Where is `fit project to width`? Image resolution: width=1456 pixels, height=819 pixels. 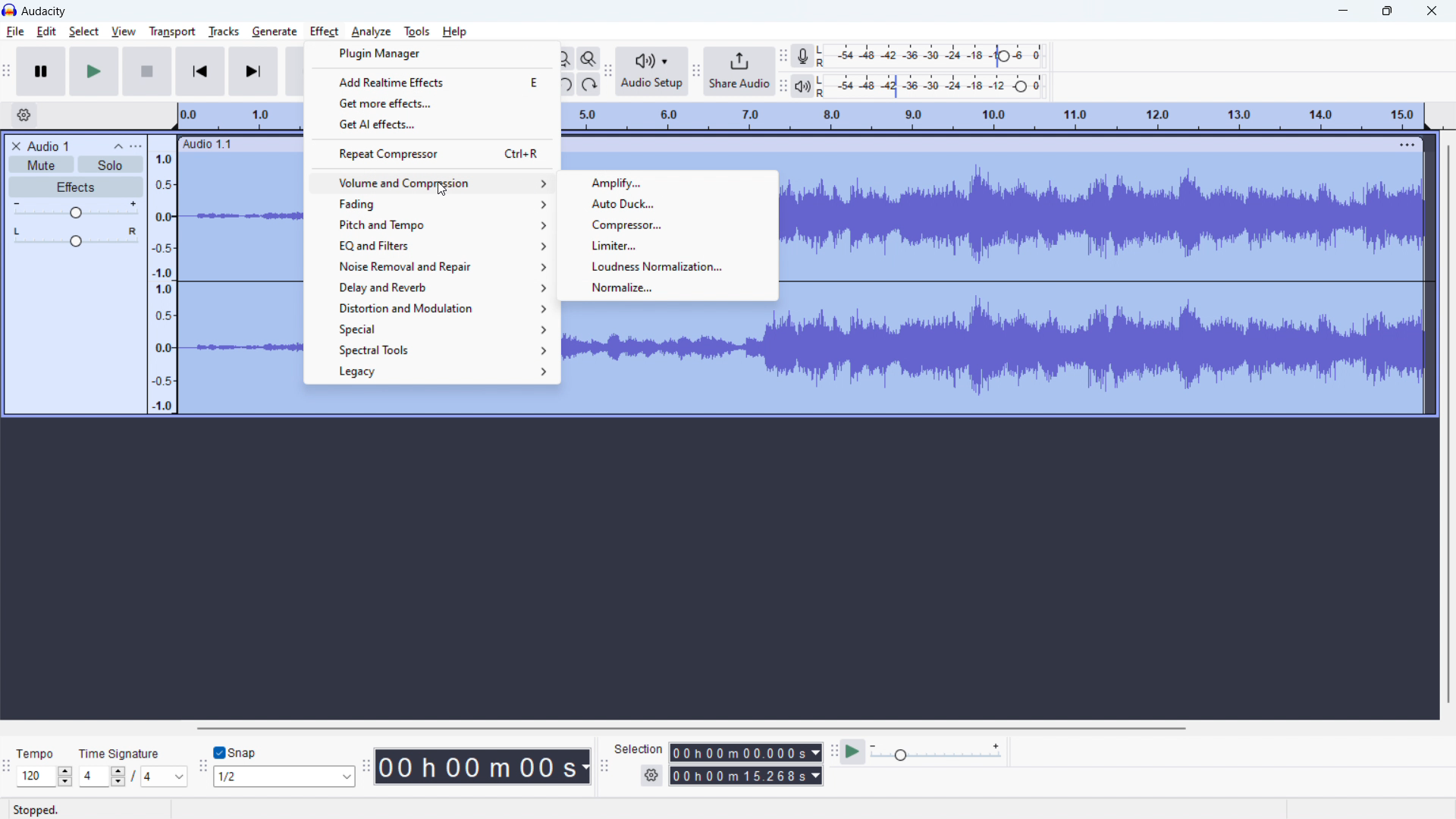 fit project to width is located at coordinates (566, 58).